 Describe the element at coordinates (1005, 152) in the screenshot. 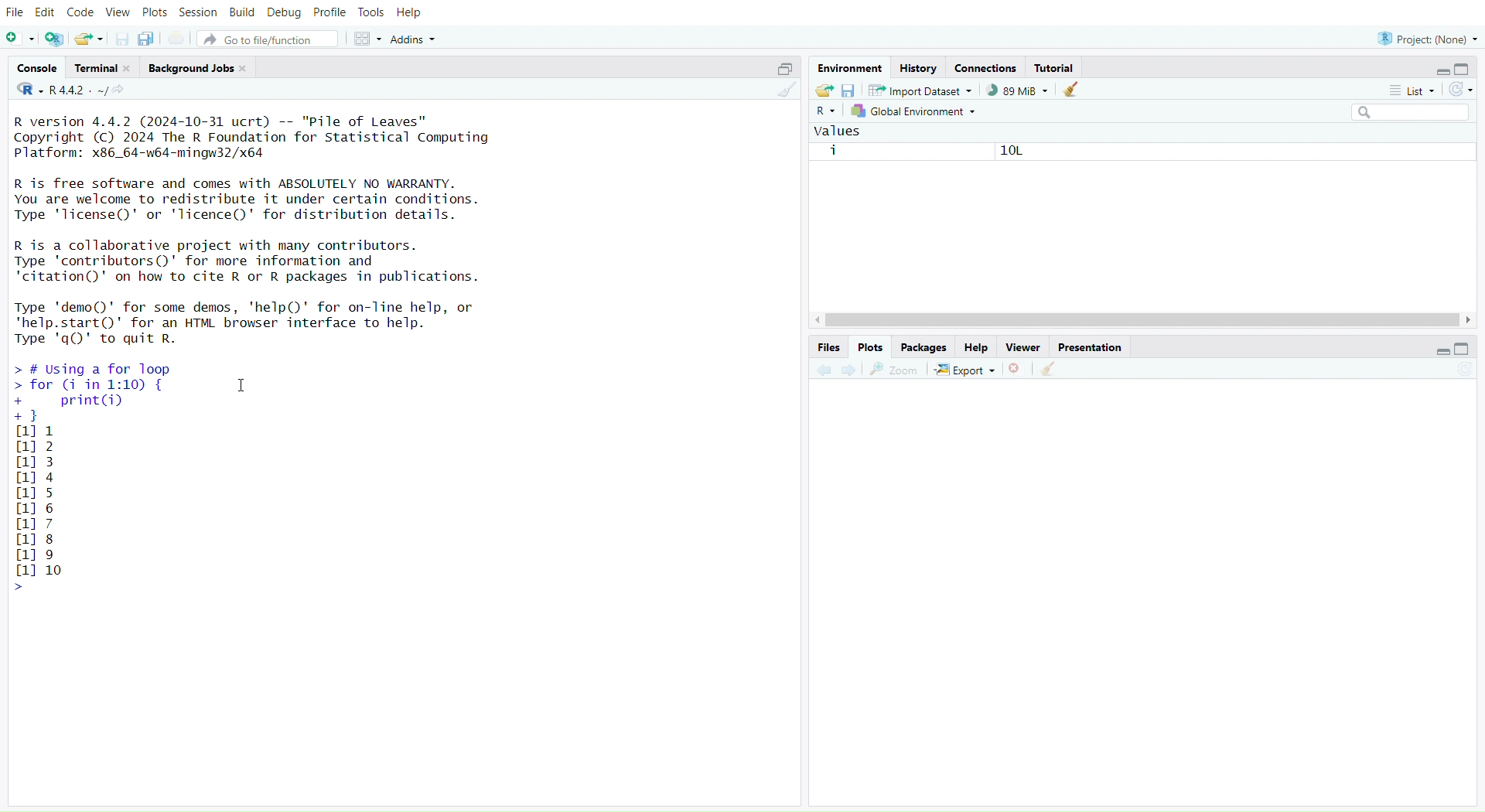

I see `10L` at that location.